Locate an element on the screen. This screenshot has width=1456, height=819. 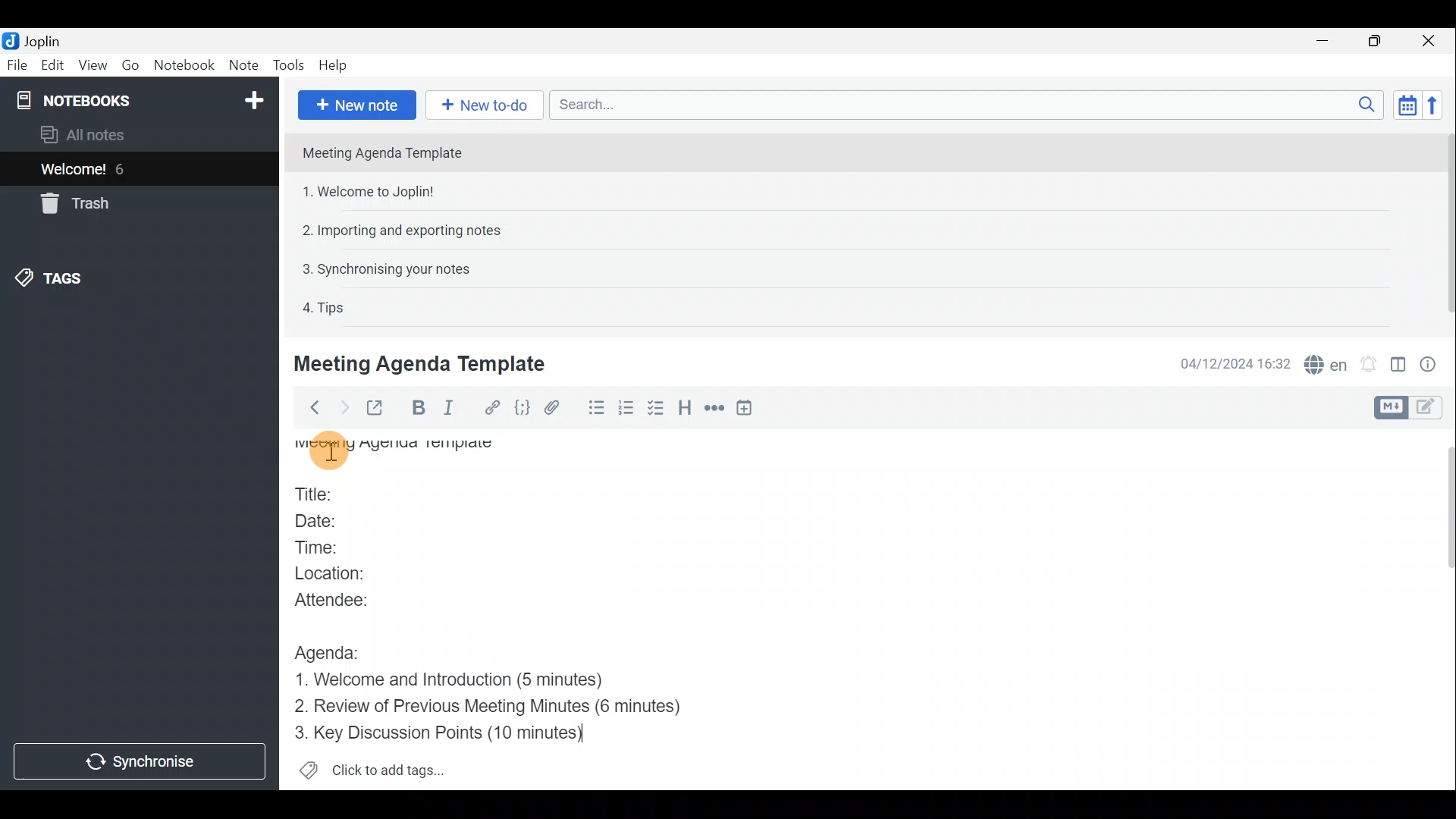
Code is located at coordinates (524, 409).